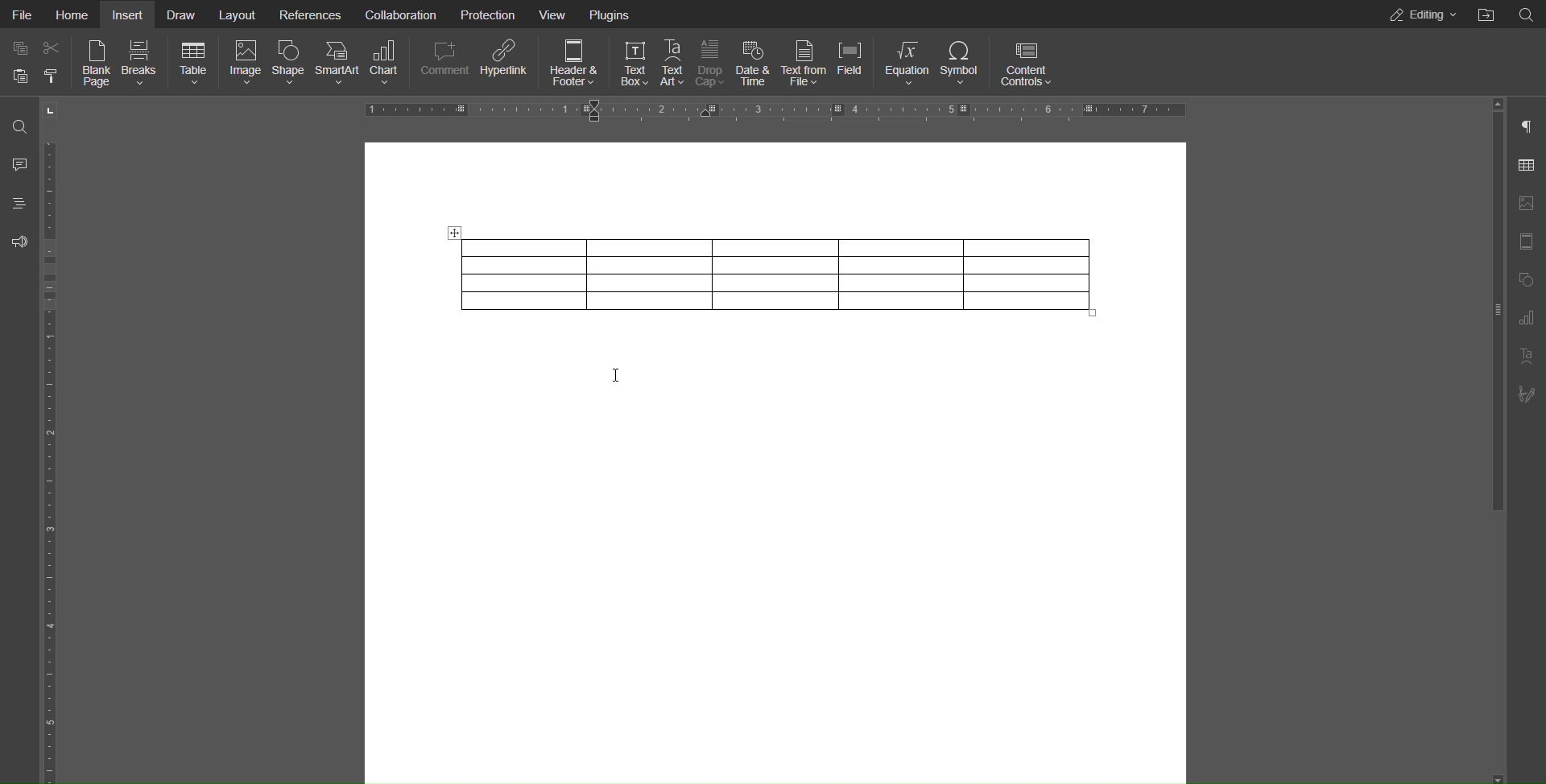 The width and height of the screenshot is (1546, 784). I want to click on SmartArt, so click(342, 64).